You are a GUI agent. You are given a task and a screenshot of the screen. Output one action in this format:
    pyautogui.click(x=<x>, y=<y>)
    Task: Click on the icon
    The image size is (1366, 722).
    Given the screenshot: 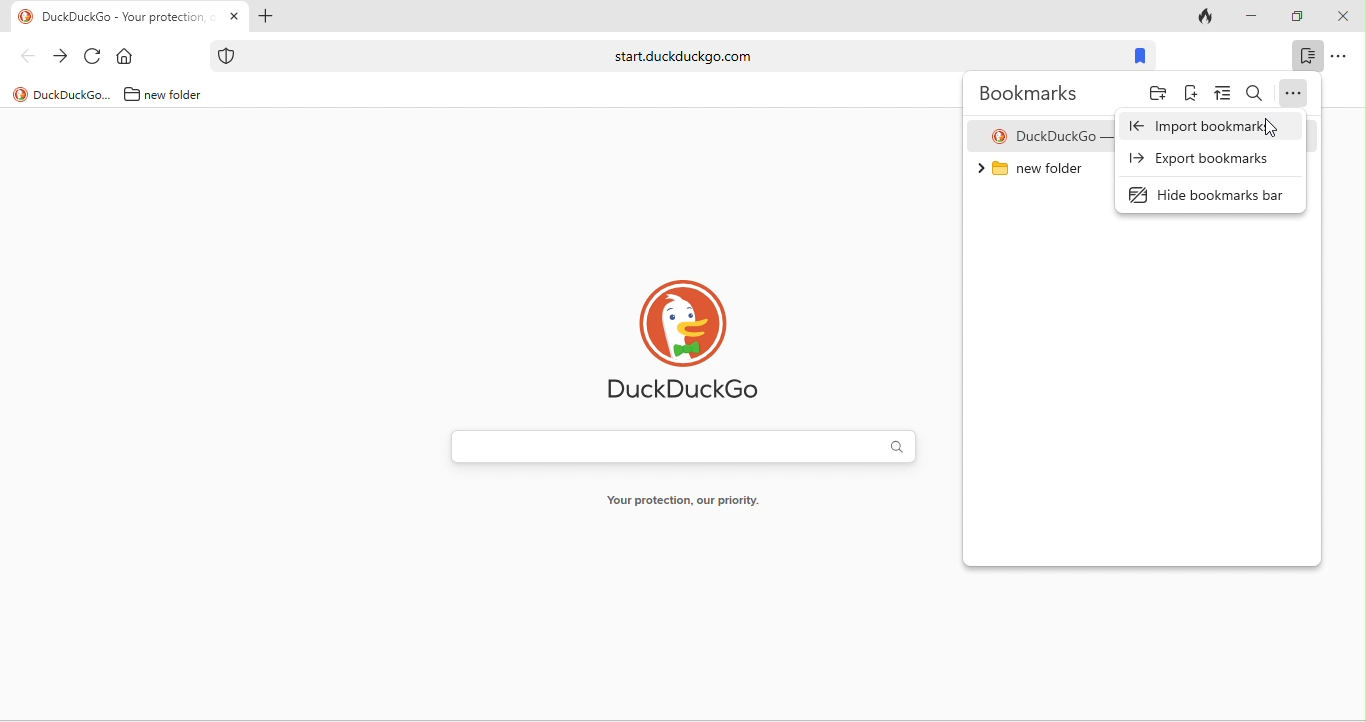 What is the action you would take?
    pyautogui.click(x=20, y=95)
    